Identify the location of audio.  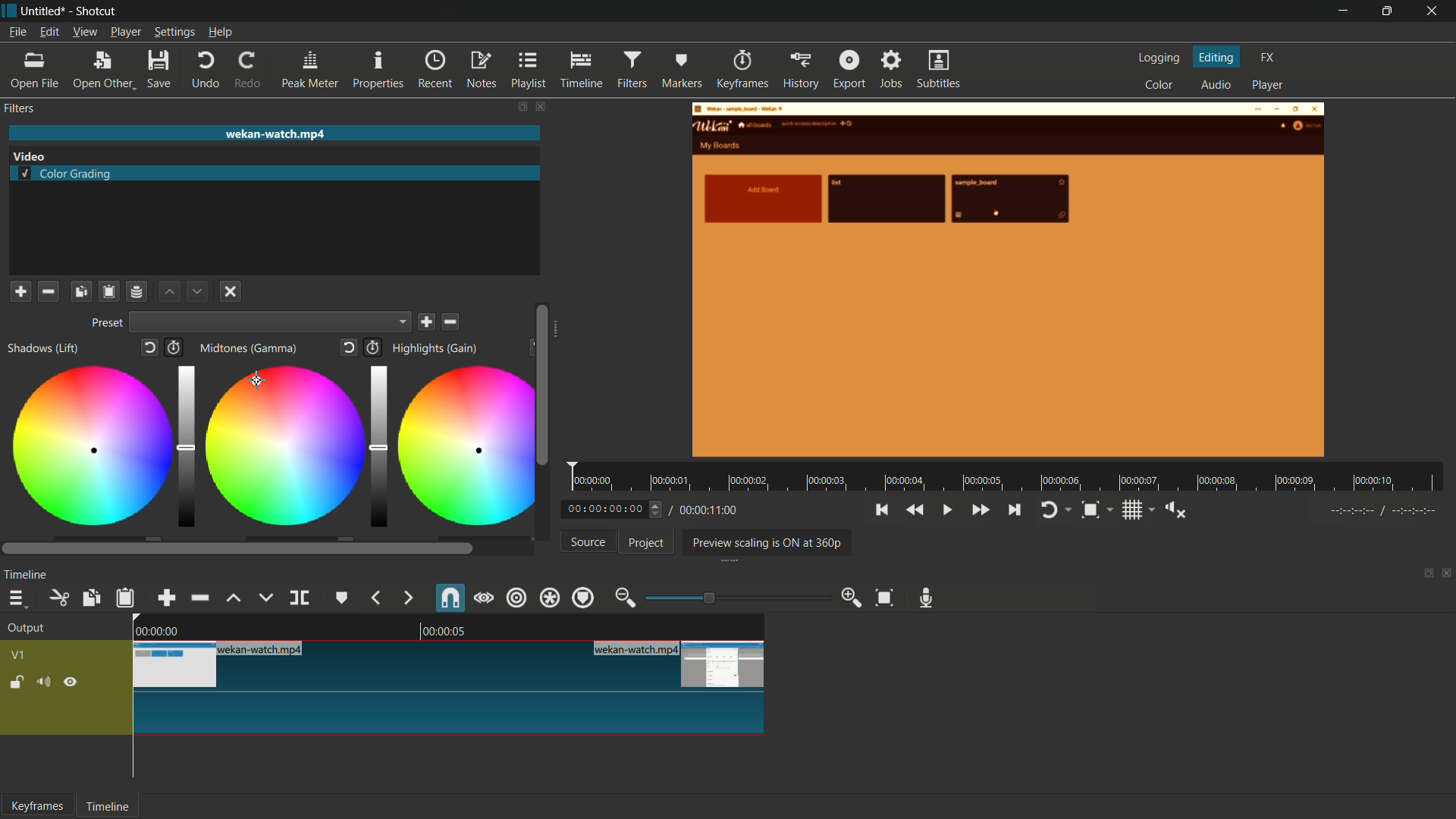
(1216, 86).